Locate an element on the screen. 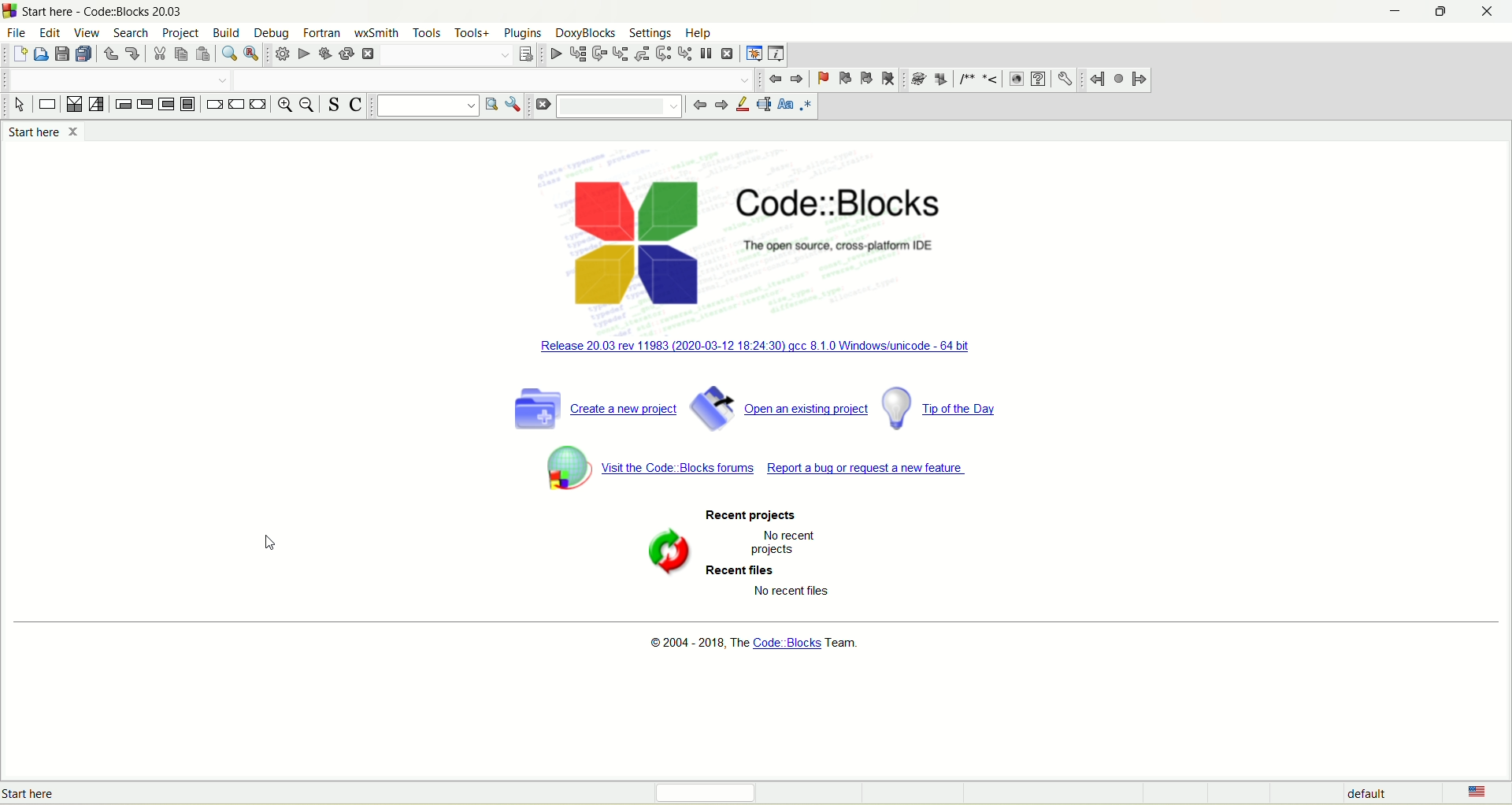 The image size is (1512, 805). logo is located at coordinates (630, 245).